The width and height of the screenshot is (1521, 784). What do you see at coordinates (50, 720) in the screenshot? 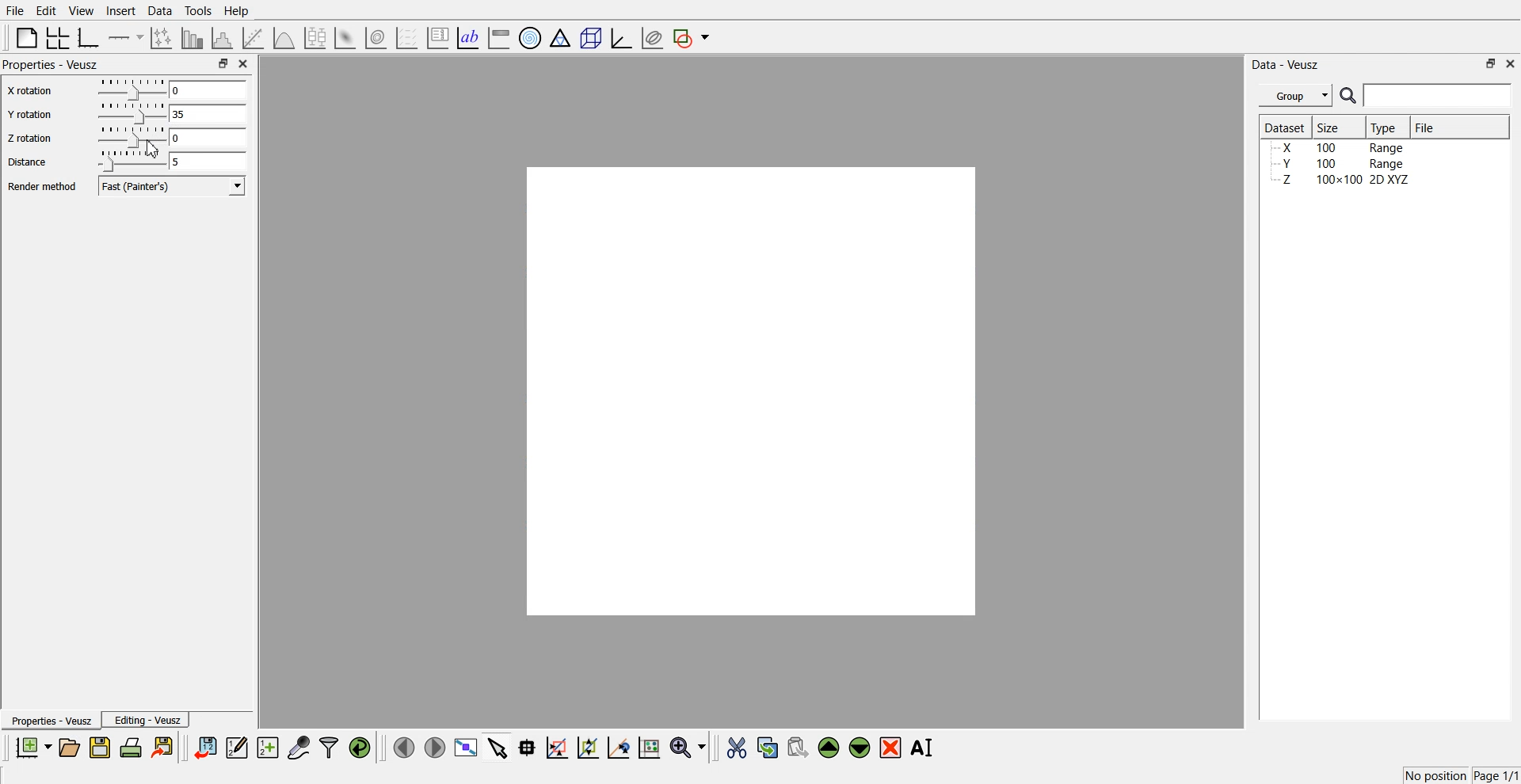
I see `Properties - Veusz` at bounding box center [50, 720].